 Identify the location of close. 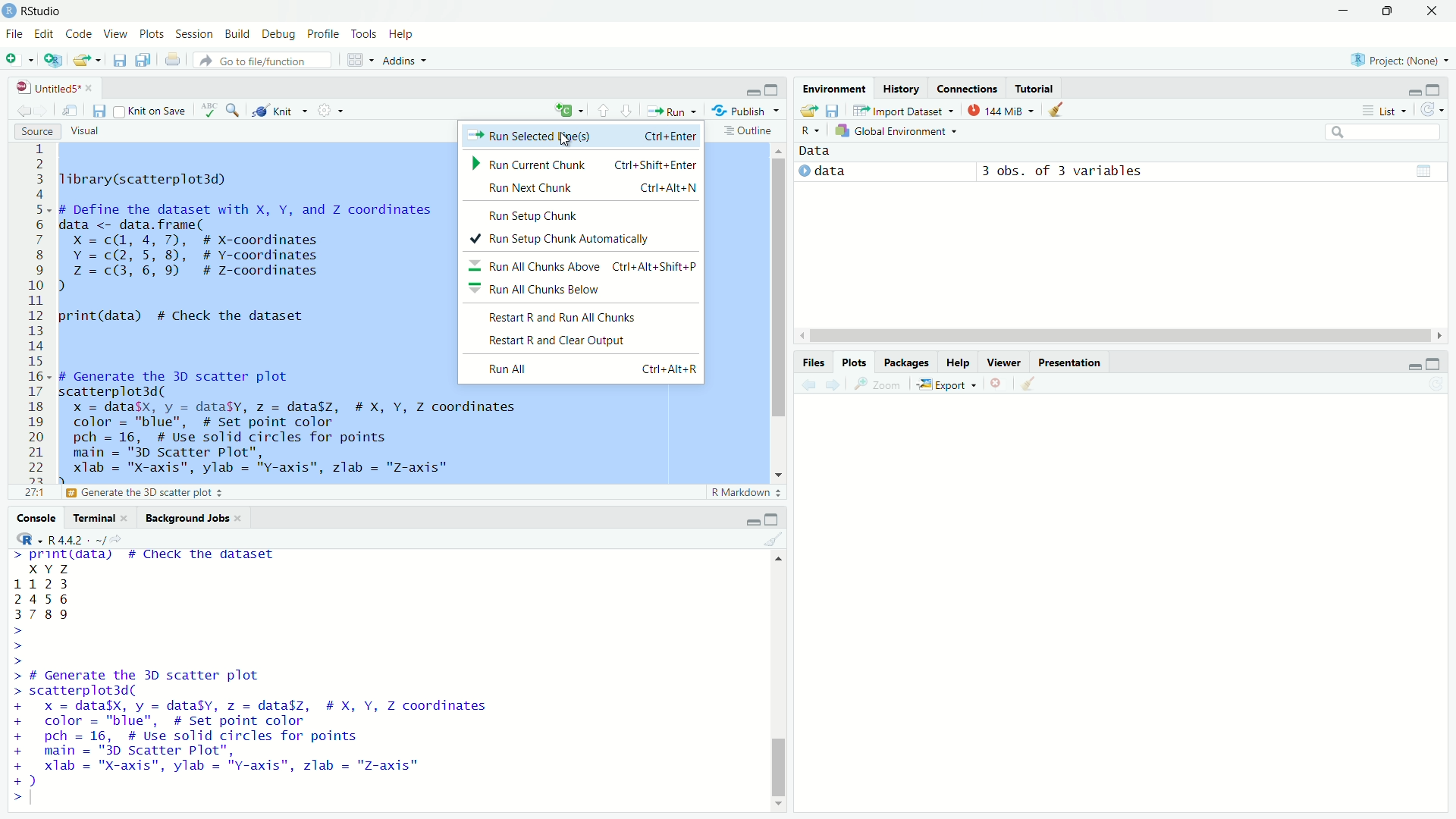
(94, 87).